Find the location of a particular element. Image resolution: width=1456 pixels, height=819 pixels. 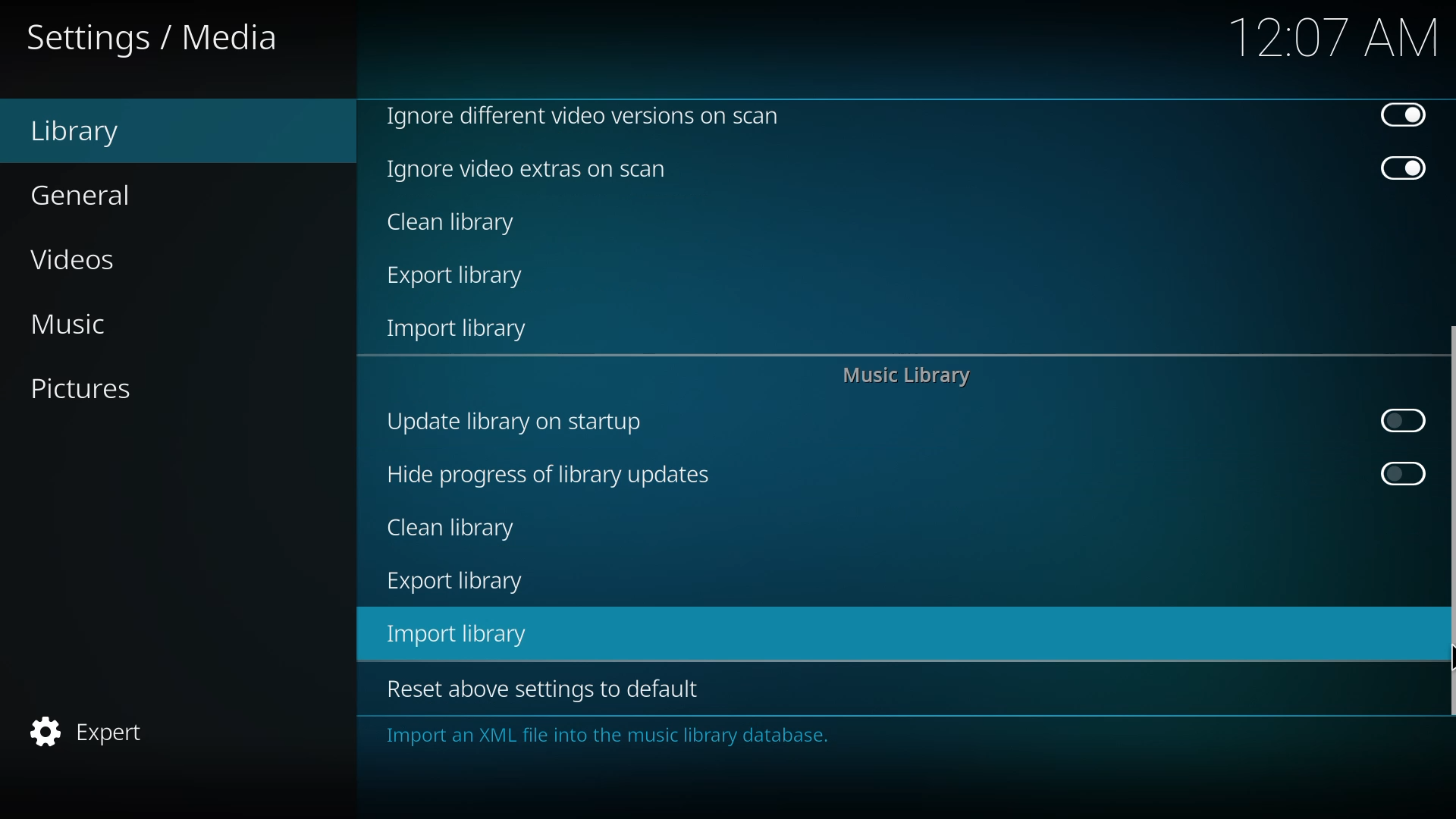

expert is located at coordinates (86, 732).